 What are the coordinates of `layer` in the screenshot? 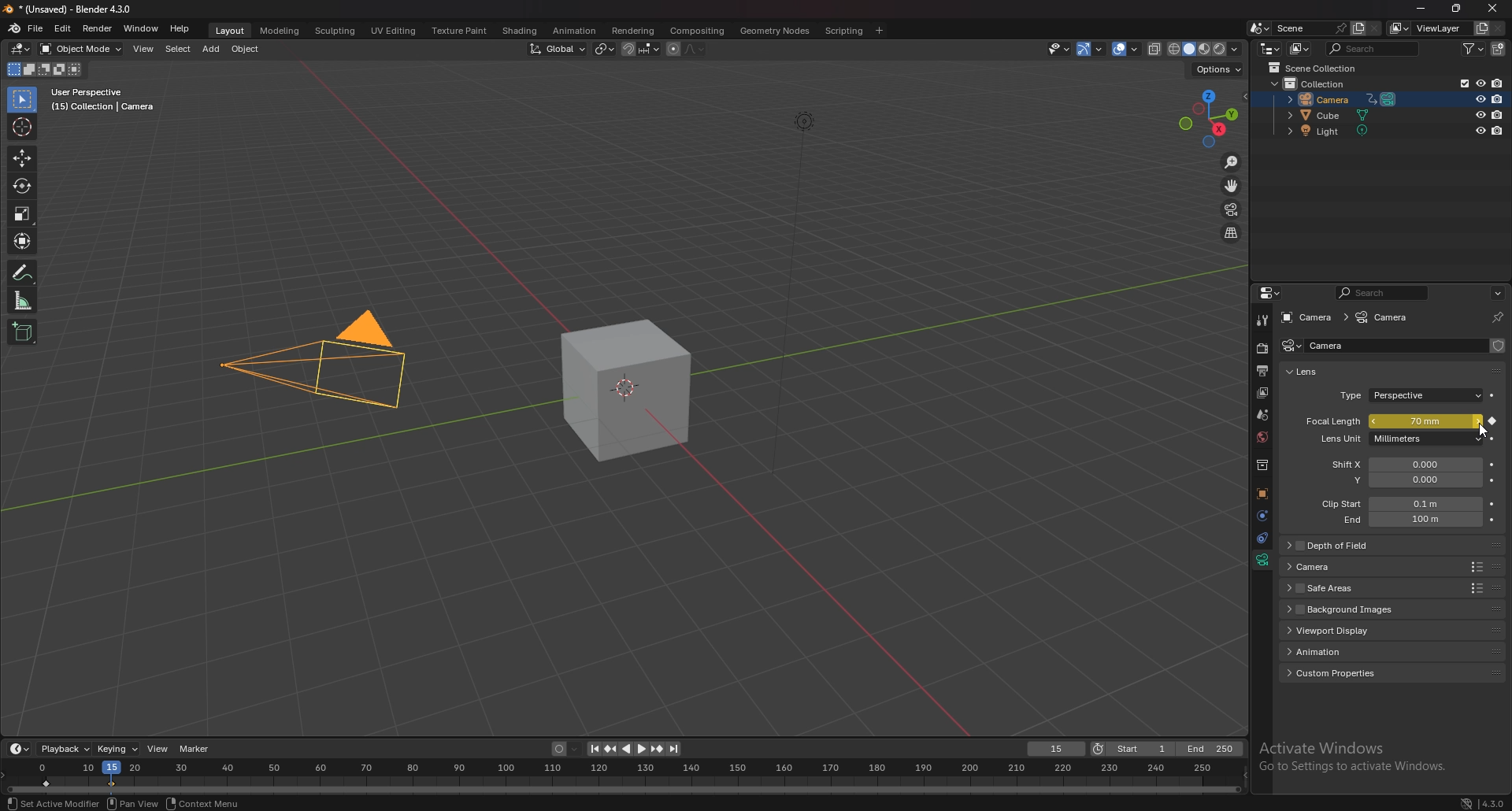 It's located at (1262, 393).